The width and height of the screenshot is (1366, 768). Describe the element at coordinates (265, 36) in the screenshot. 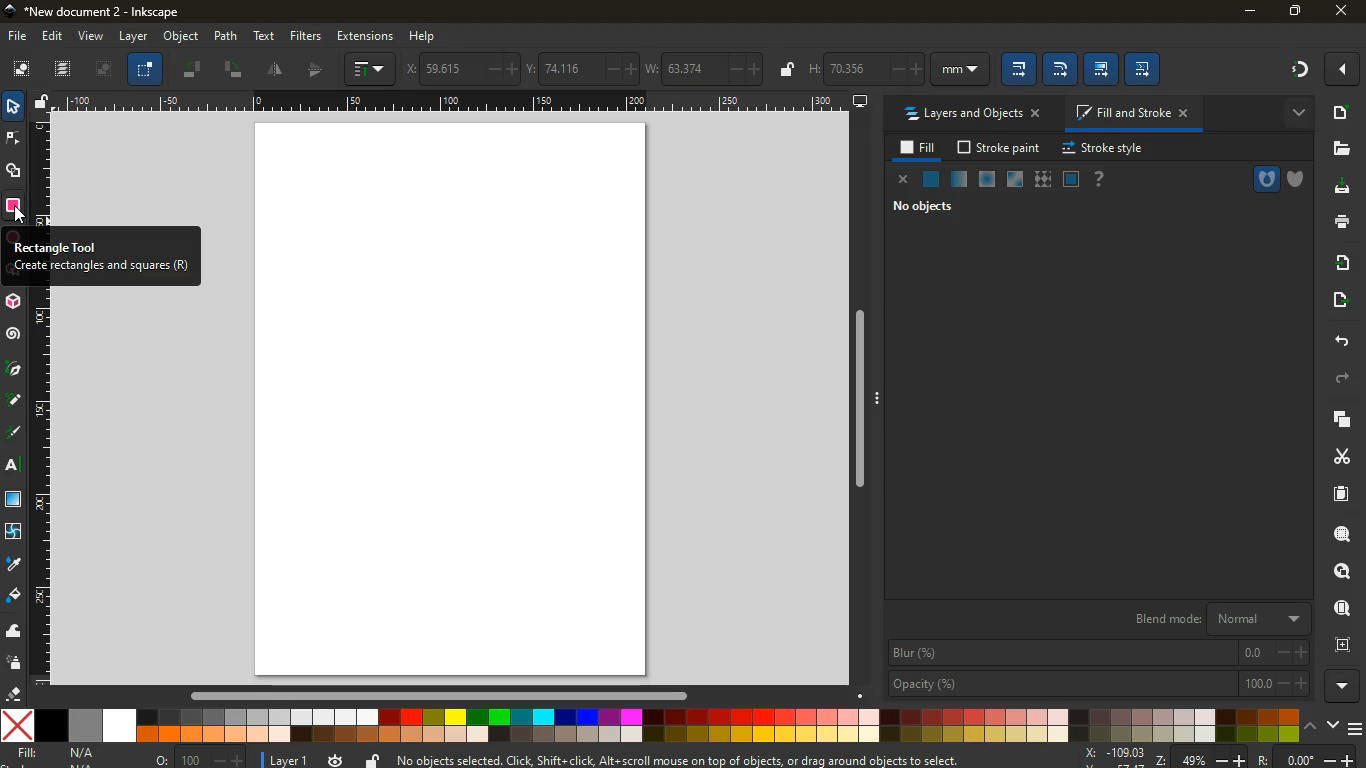

I see `text` at that location.